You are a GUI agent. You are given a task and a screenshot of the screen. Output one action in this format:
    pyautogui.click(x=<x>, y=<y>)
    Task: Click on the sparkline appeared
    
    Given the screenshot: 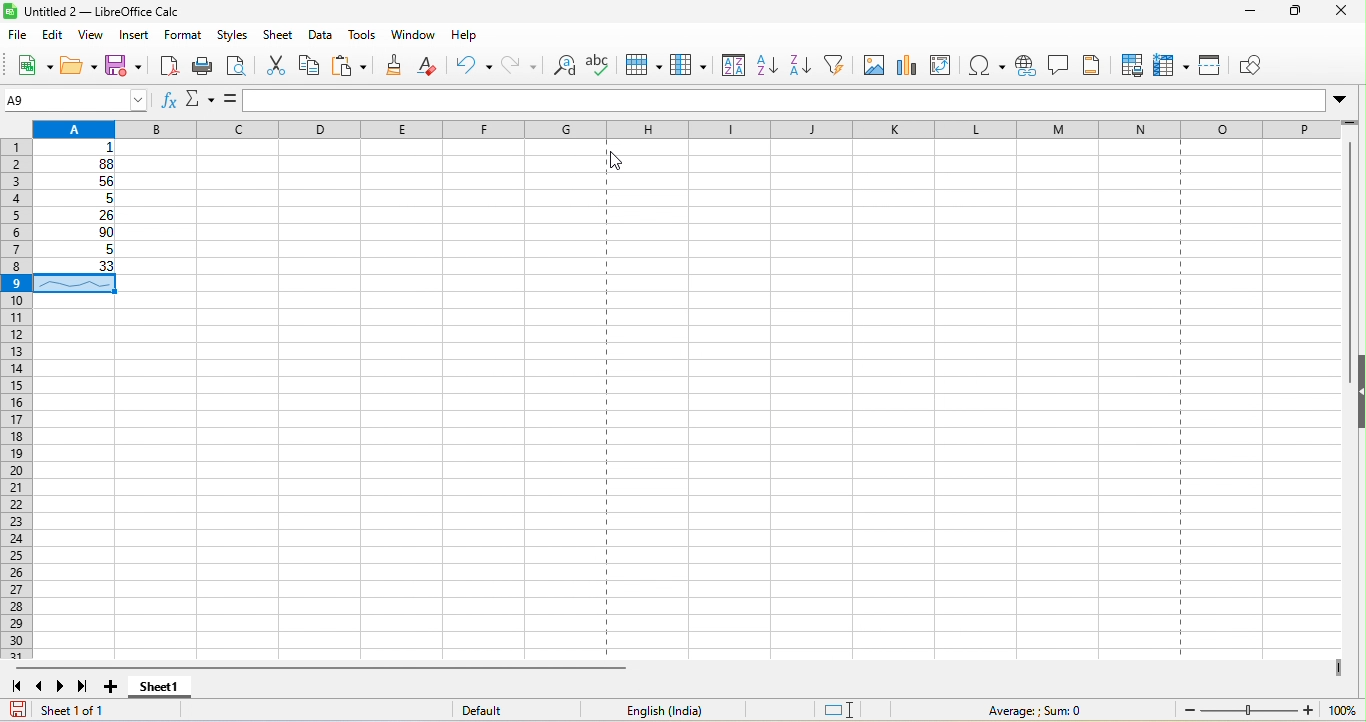 What is the action you would take?
    pyautogui.click(x=77, y=286)
    